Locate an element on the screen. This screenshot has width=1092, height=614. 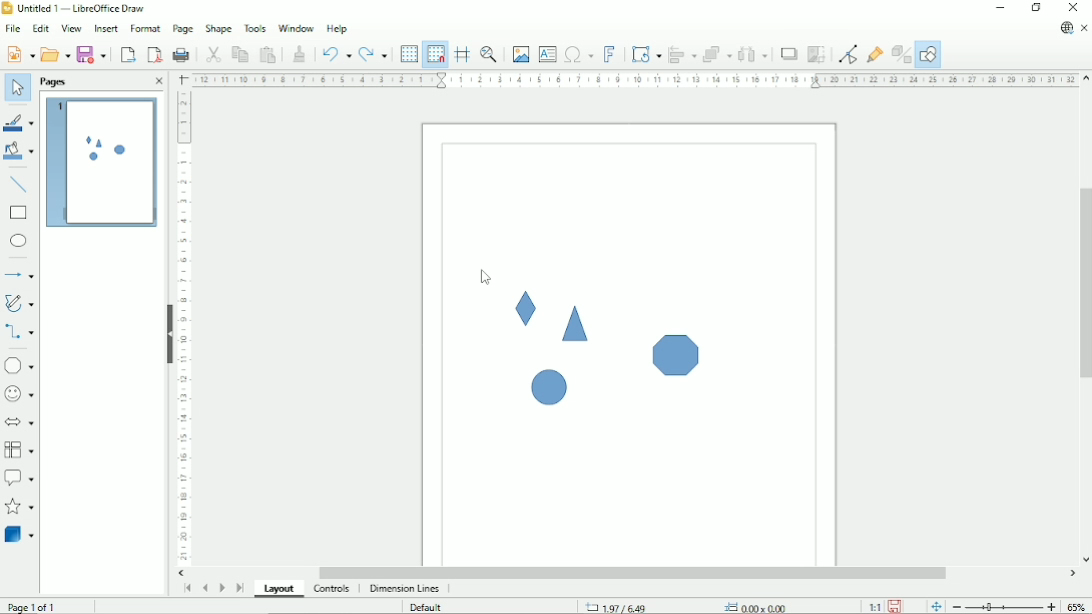
Basic shapes is located at coordinates (22, 365).